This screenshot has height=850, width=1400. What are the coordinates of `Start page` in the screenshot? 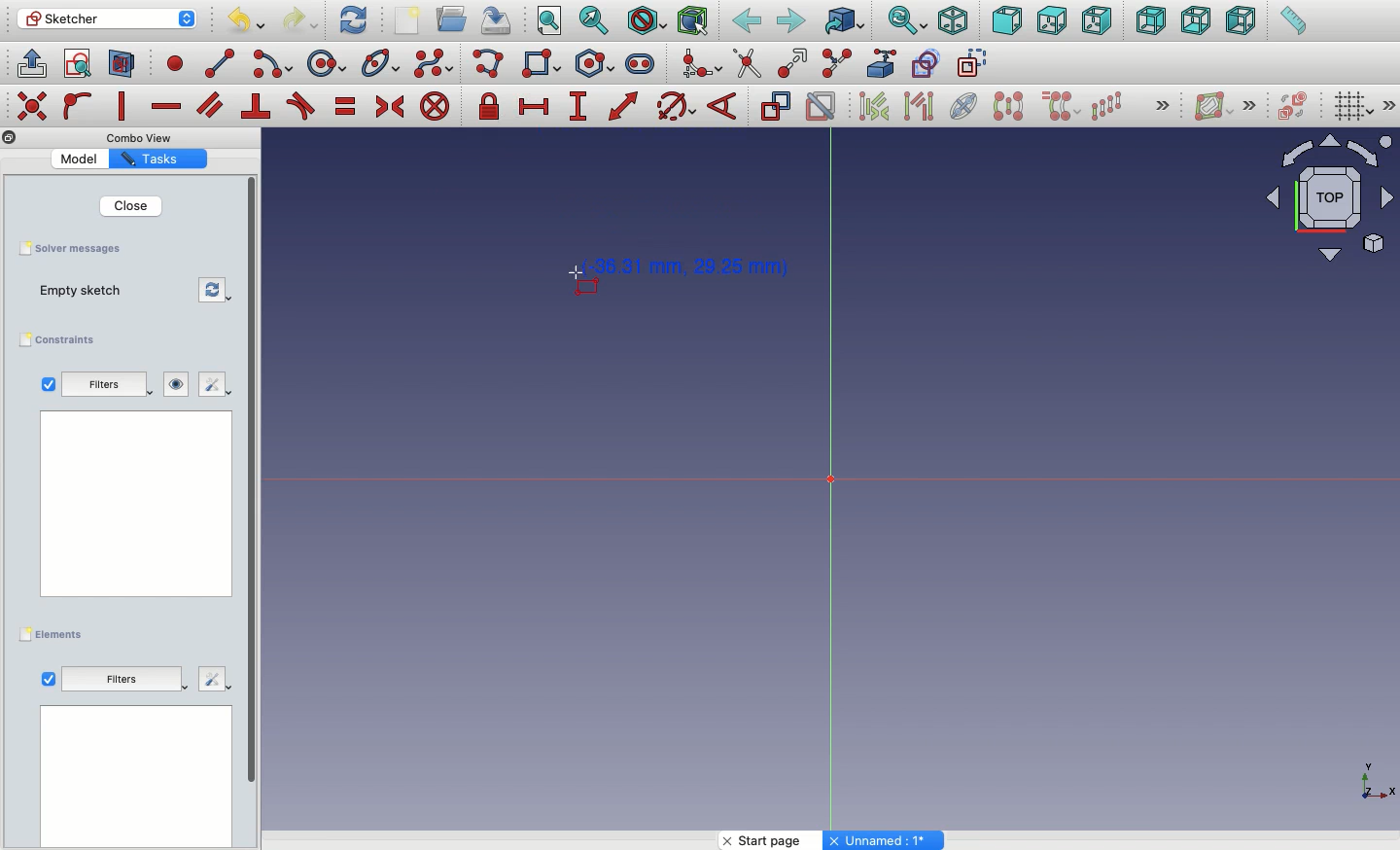 It's located at (773, 840).